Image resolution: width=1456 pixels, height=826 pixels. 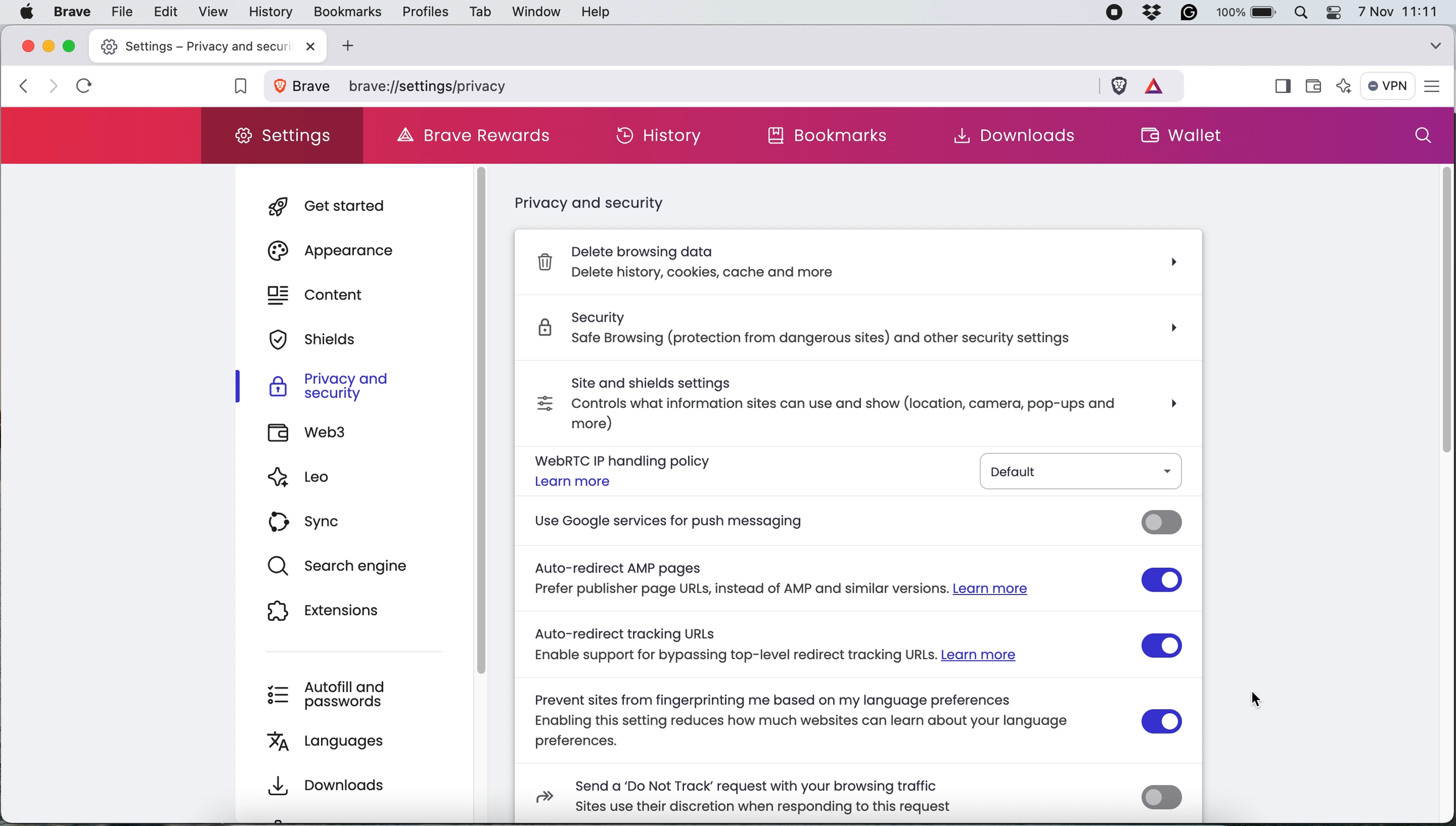 I want to click on close, so click(x=26, y=46).